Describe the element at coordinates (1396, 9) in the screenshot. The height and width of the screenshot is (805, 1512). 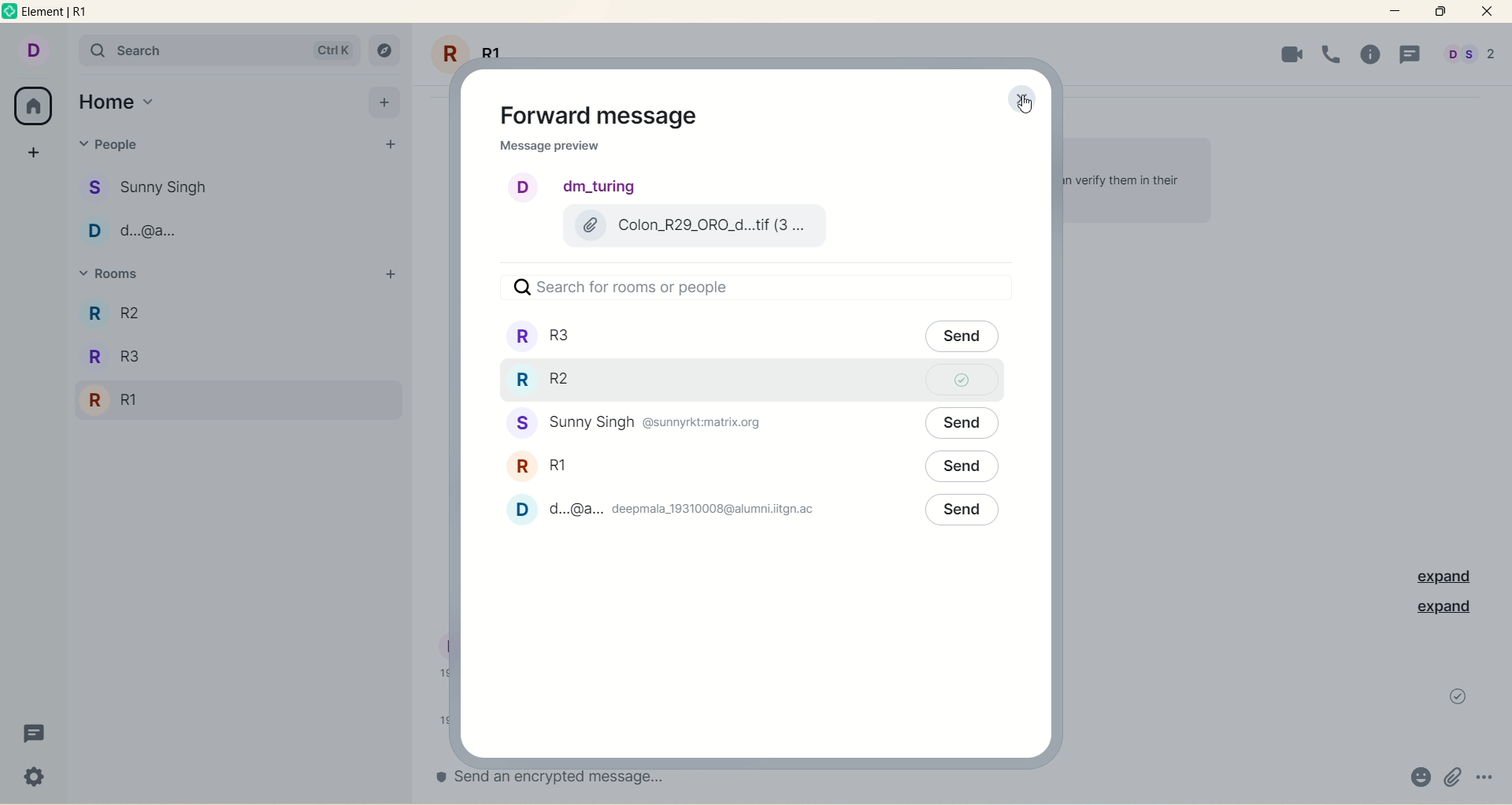
I see `minimize` at that location.